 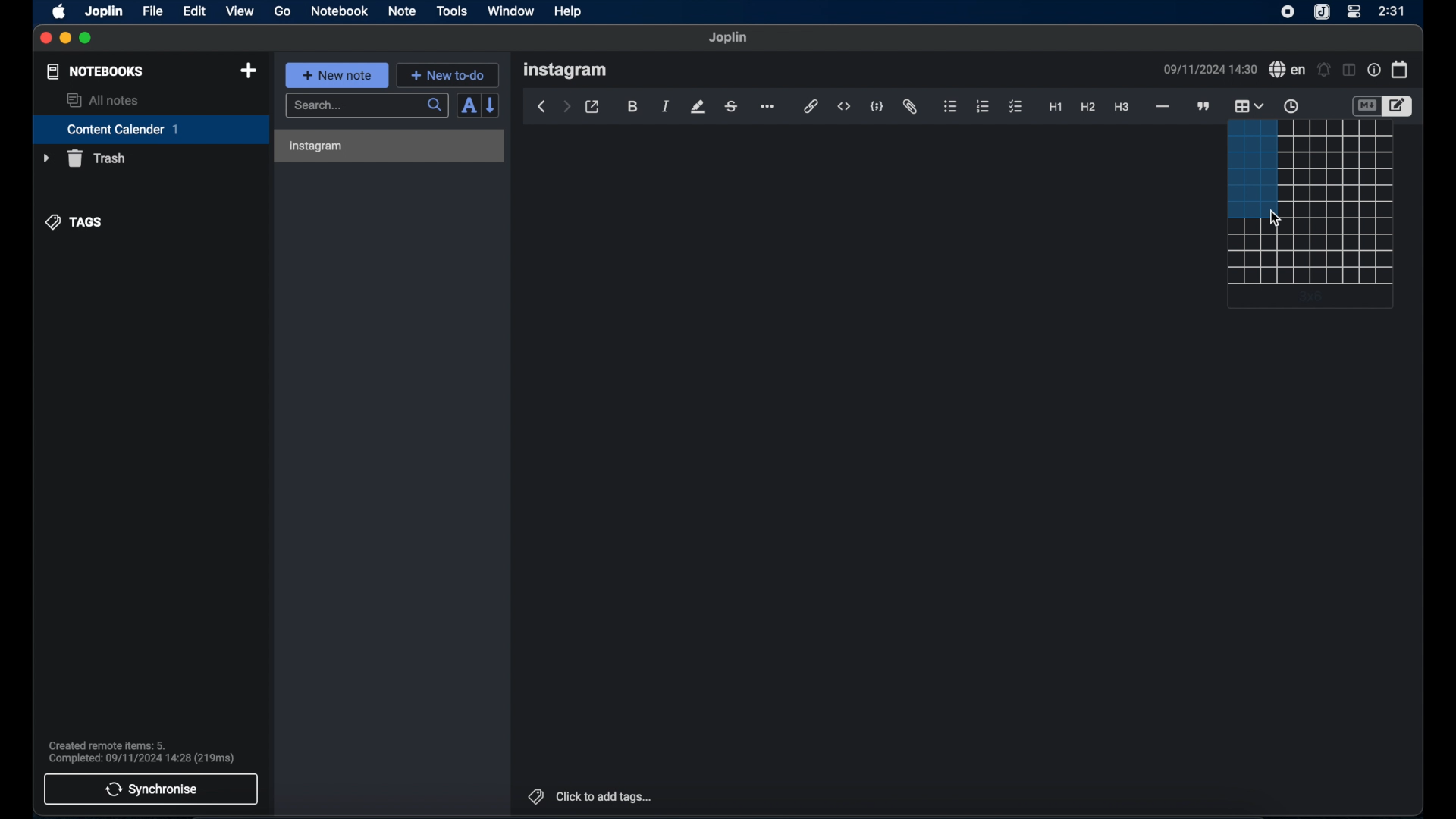 I want to click on hyperlink, so click(x=810, y=105).